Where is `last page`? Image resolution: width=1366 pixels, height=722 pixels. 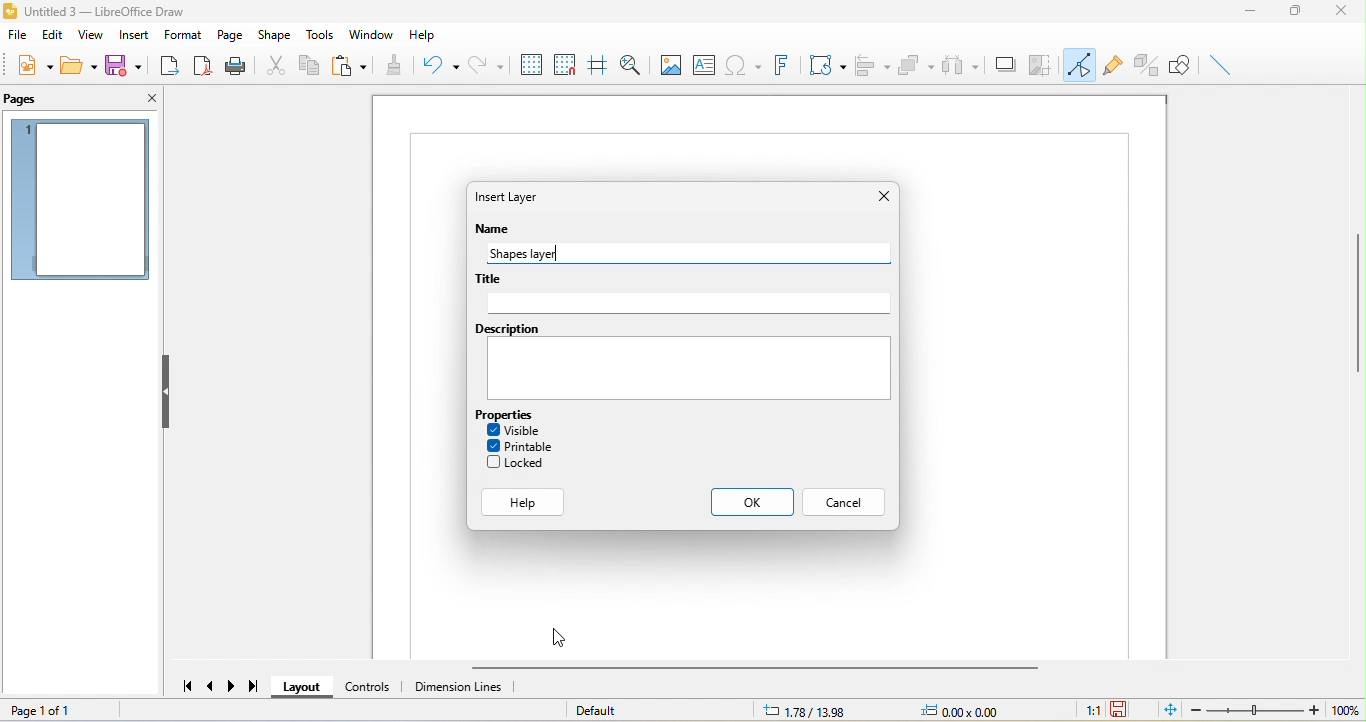
last page is located at coordinates (257, 689).